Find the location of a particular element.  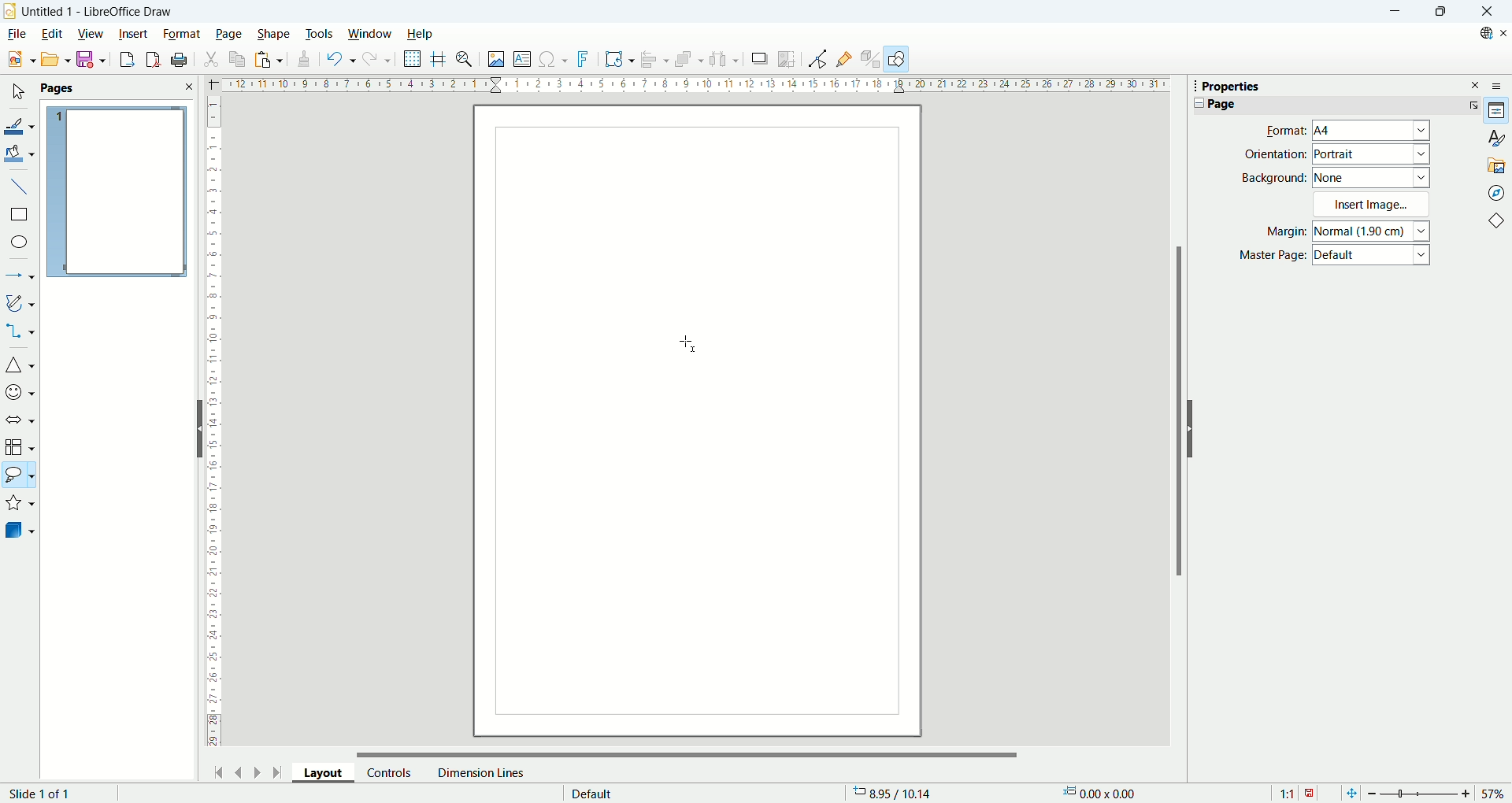

symbol shapes is located at coordinates (20, 391).